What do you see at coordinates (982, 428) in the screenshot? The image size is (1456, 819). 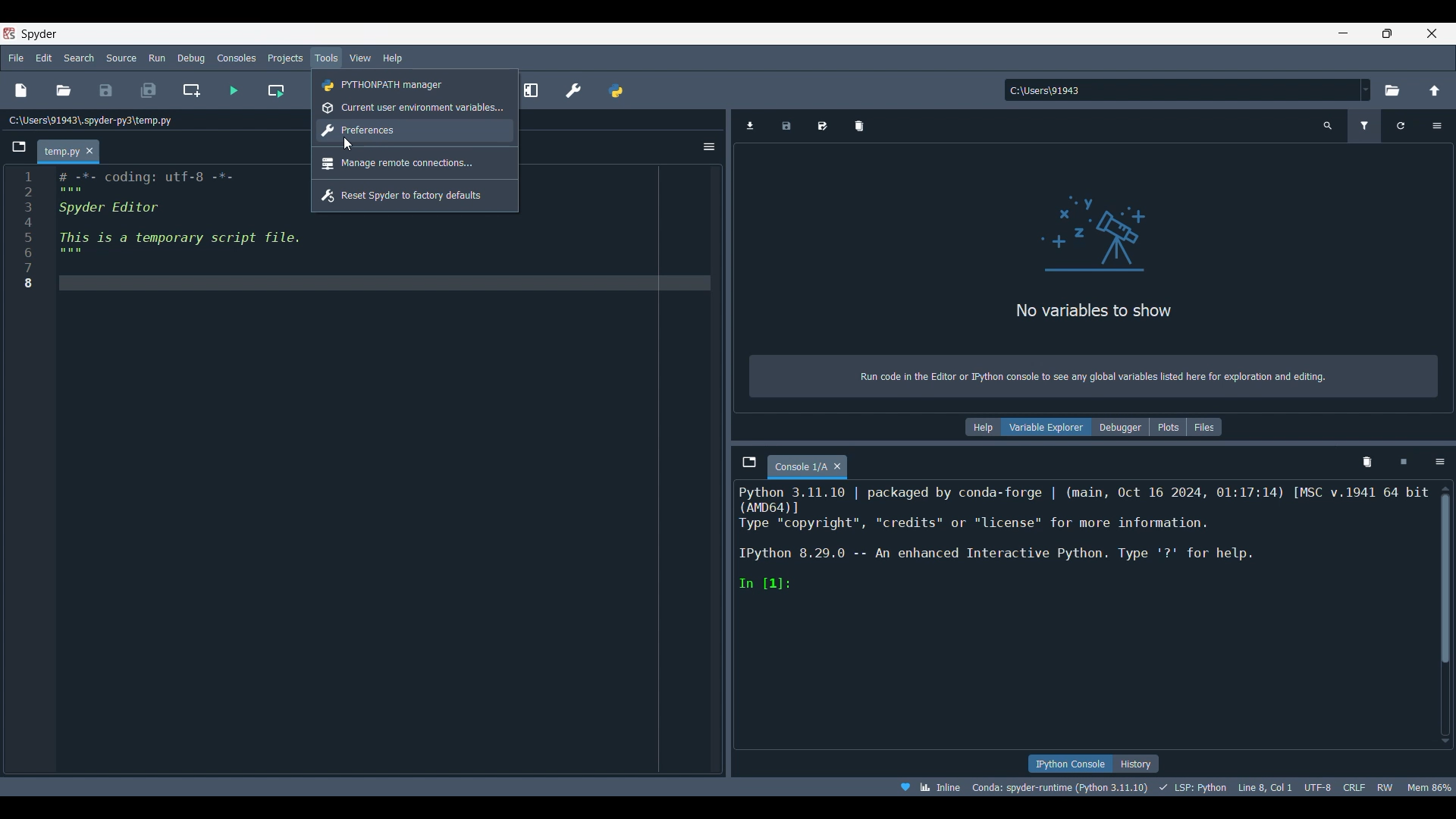 I see `Help` at bounding box center [982, 428].